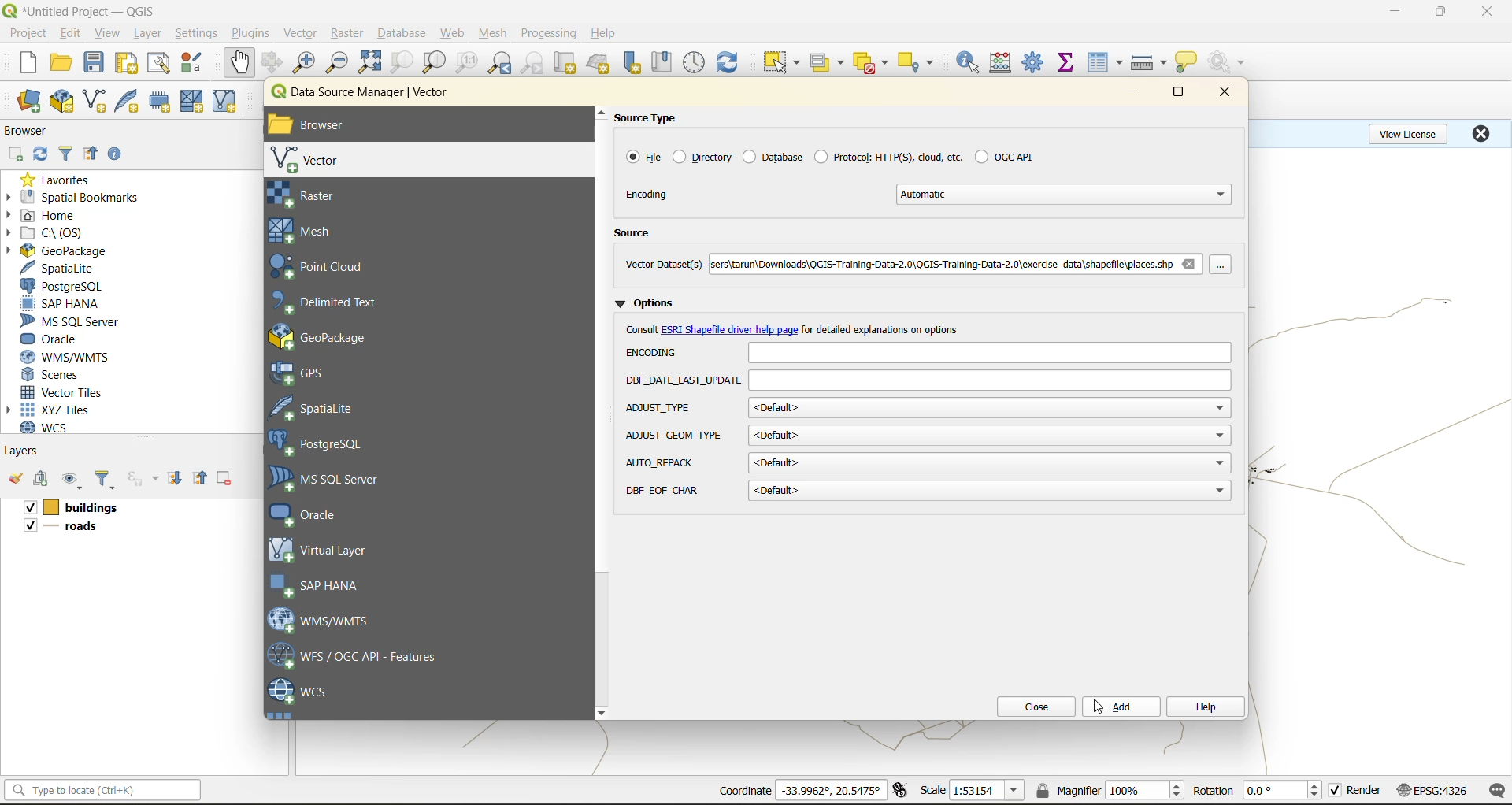 This screenshot has height=805, width=1512. What do you see at coordinates (324, 445) in the screenshot?
I see `postgresql` at bounding box center [324, 445].